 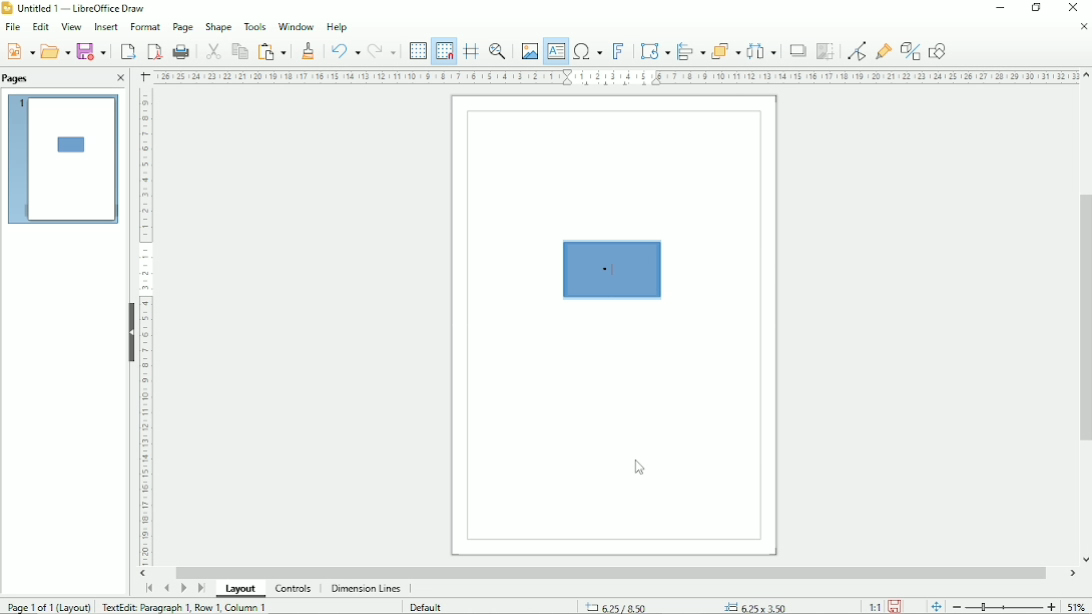 I want to click on Insert, so click(x=106, y=26).